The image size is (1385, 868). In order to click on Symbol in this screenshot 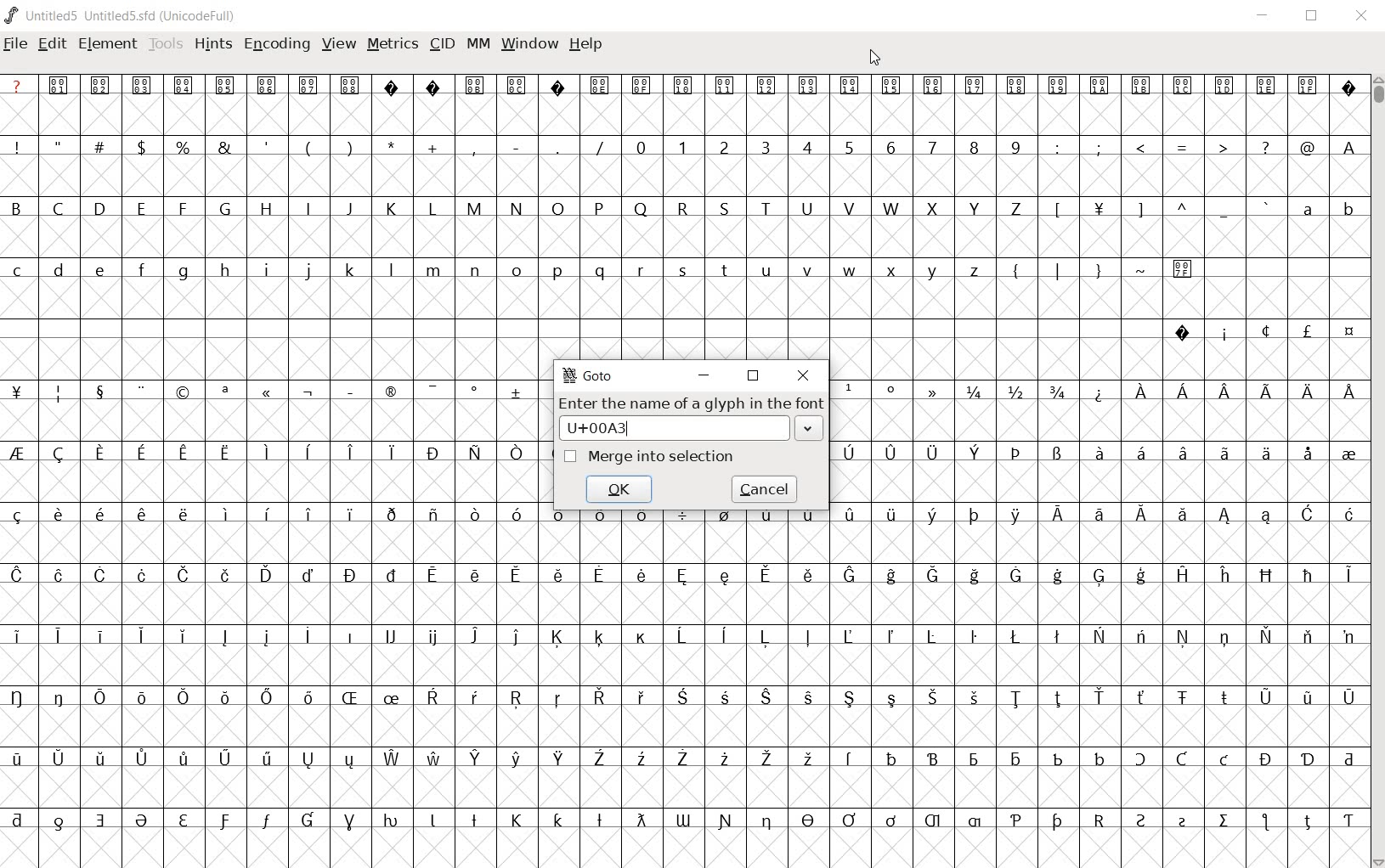, I will do `click(1269, 87)`.